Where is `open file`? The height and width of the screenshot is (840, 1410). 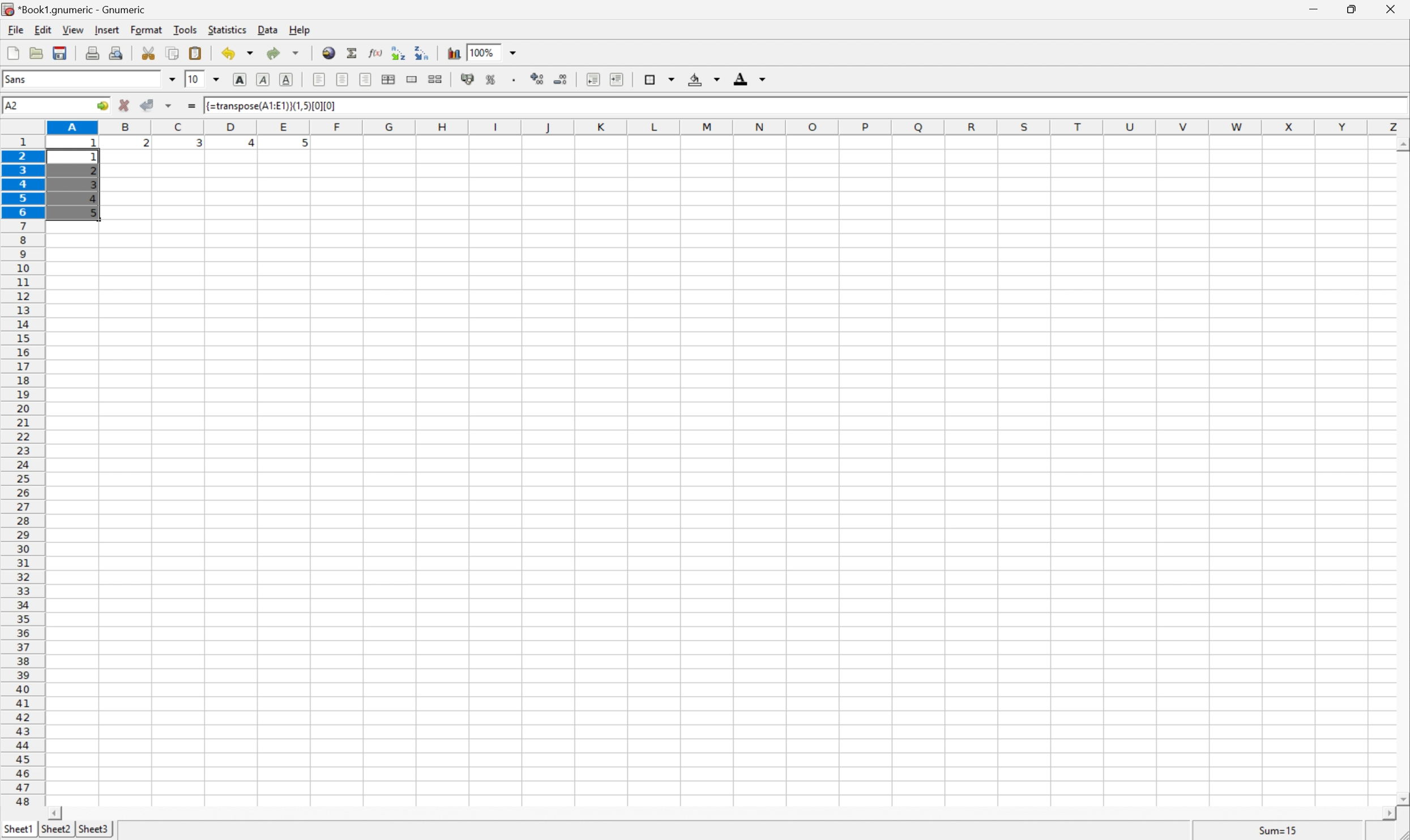 open file is located at coordinates (38, 52).